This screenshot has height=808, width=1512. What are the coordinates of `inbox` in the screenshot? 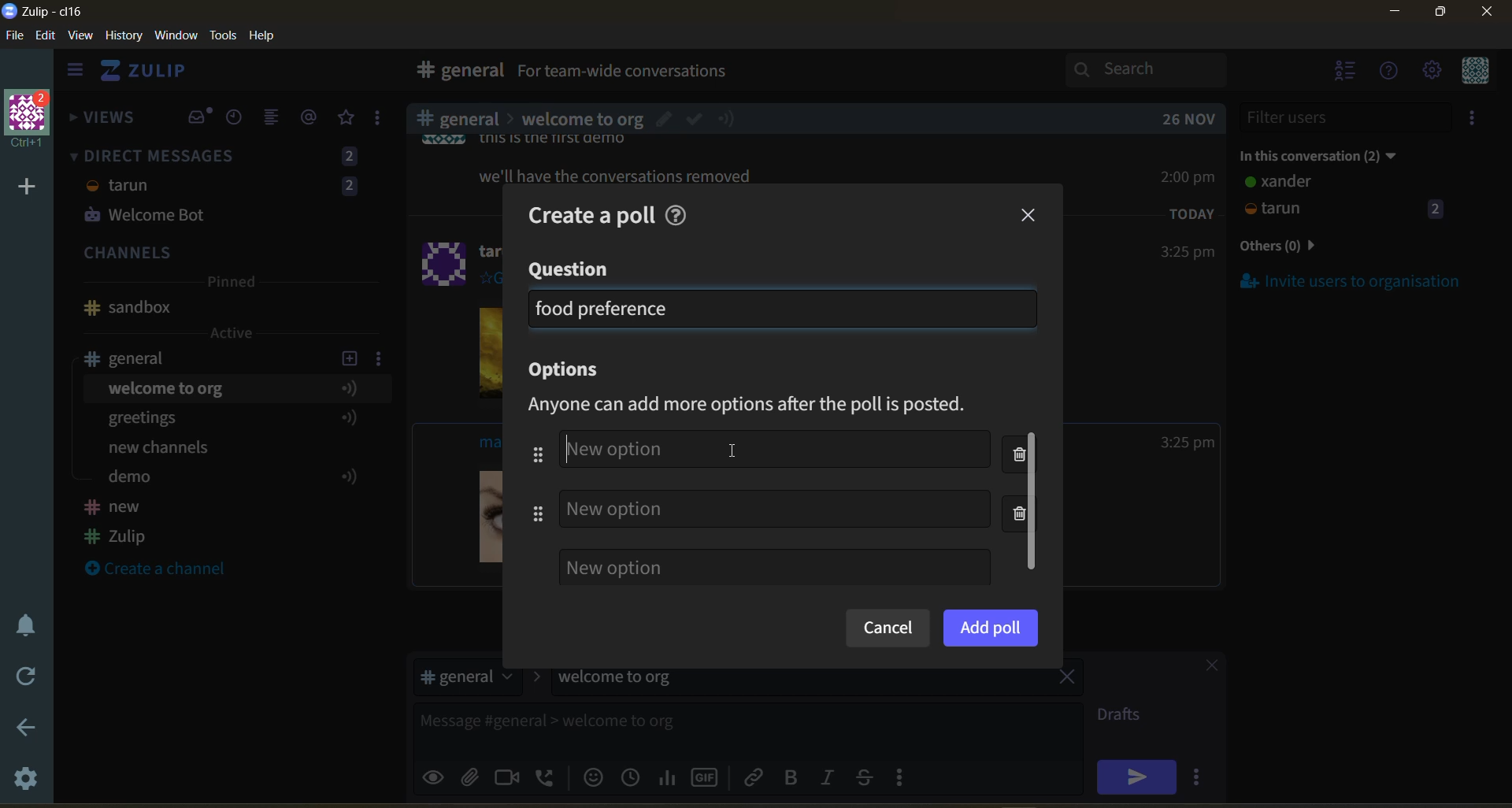 It's located at (199, 117).